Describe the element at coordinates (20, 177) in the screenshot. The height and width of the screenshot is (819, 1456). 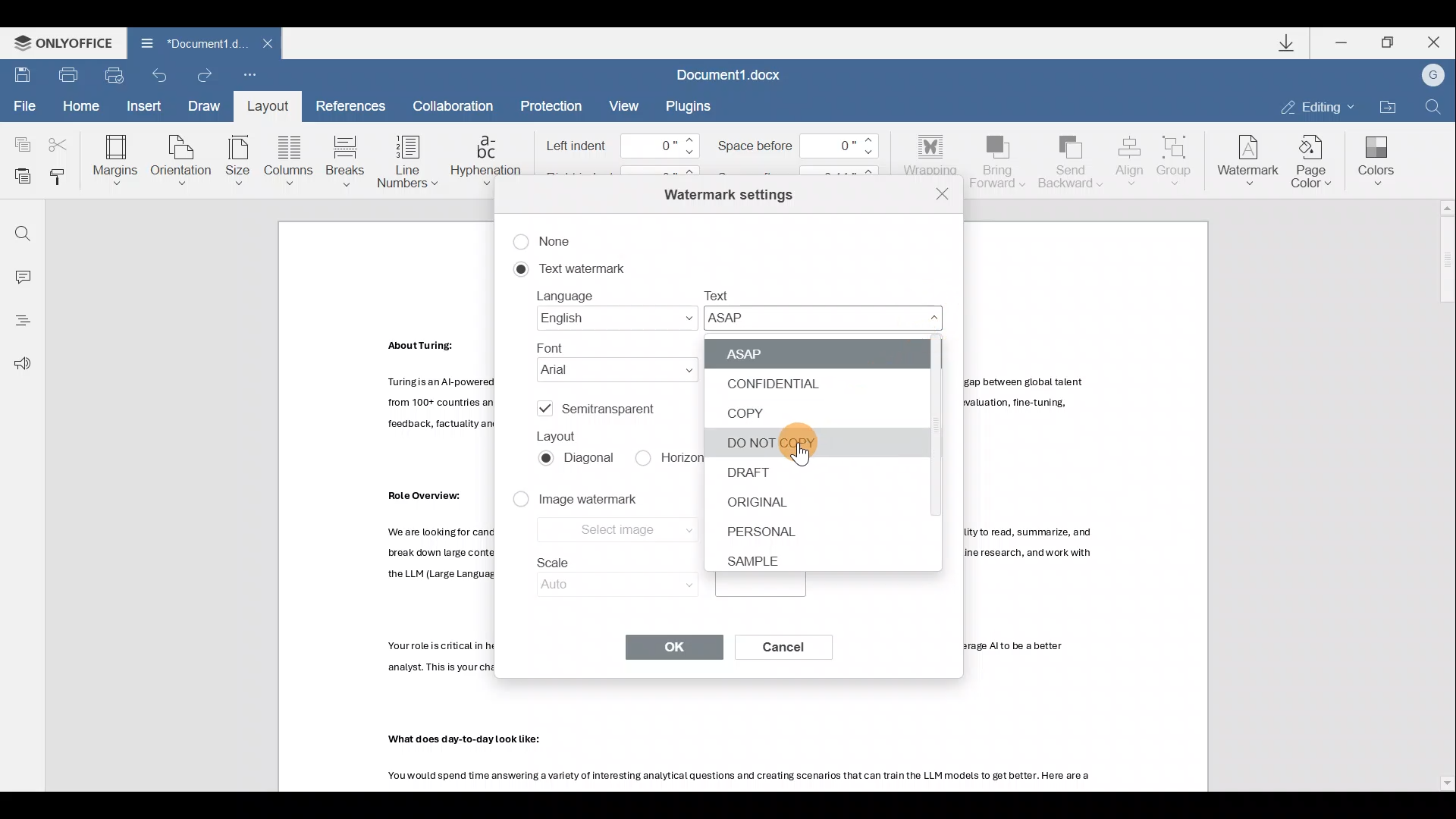
I see `Paste` at that location.